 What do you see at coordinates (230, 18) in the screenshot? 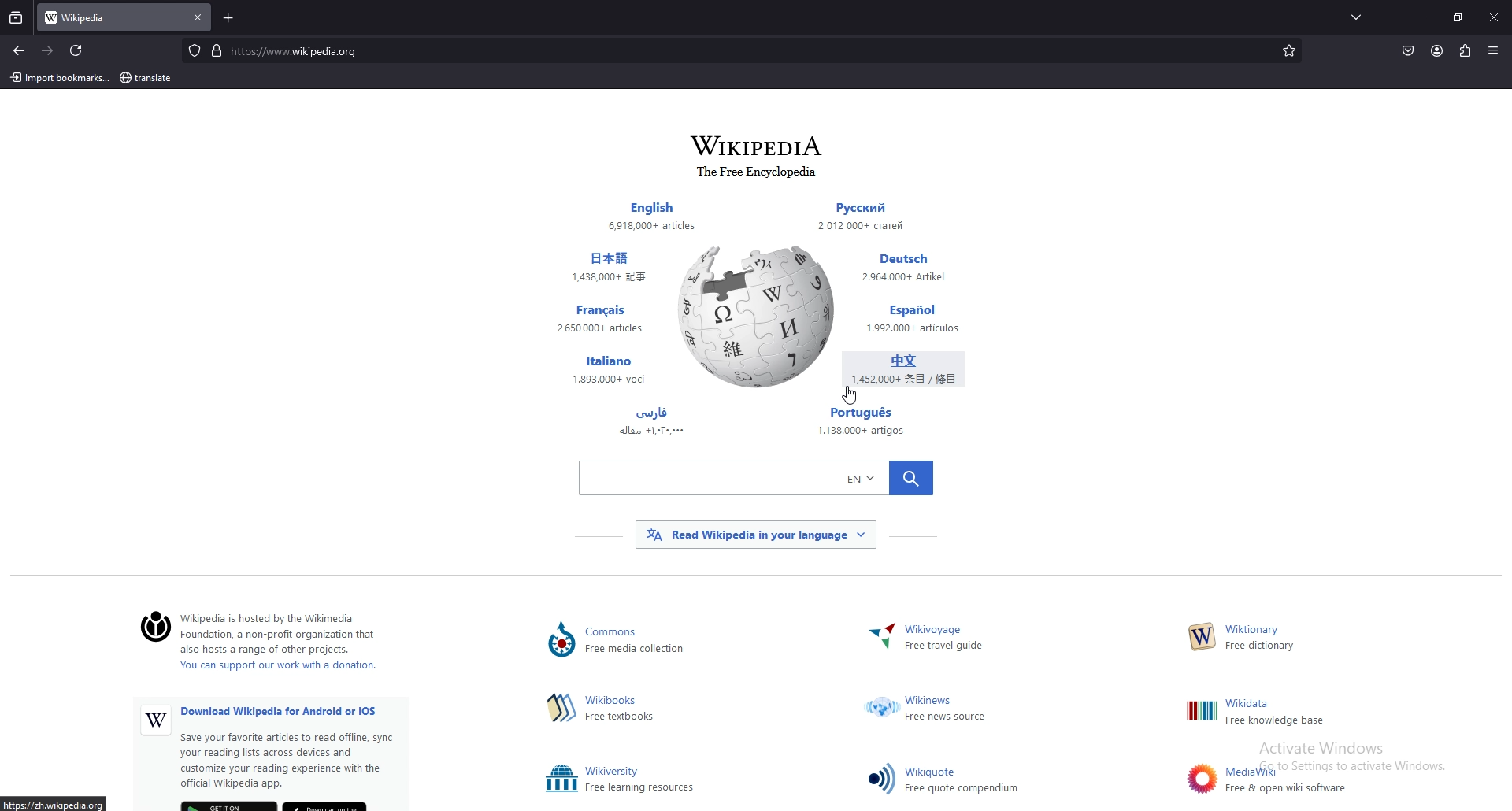
I see `add tab` at bounding box center [230, 18].